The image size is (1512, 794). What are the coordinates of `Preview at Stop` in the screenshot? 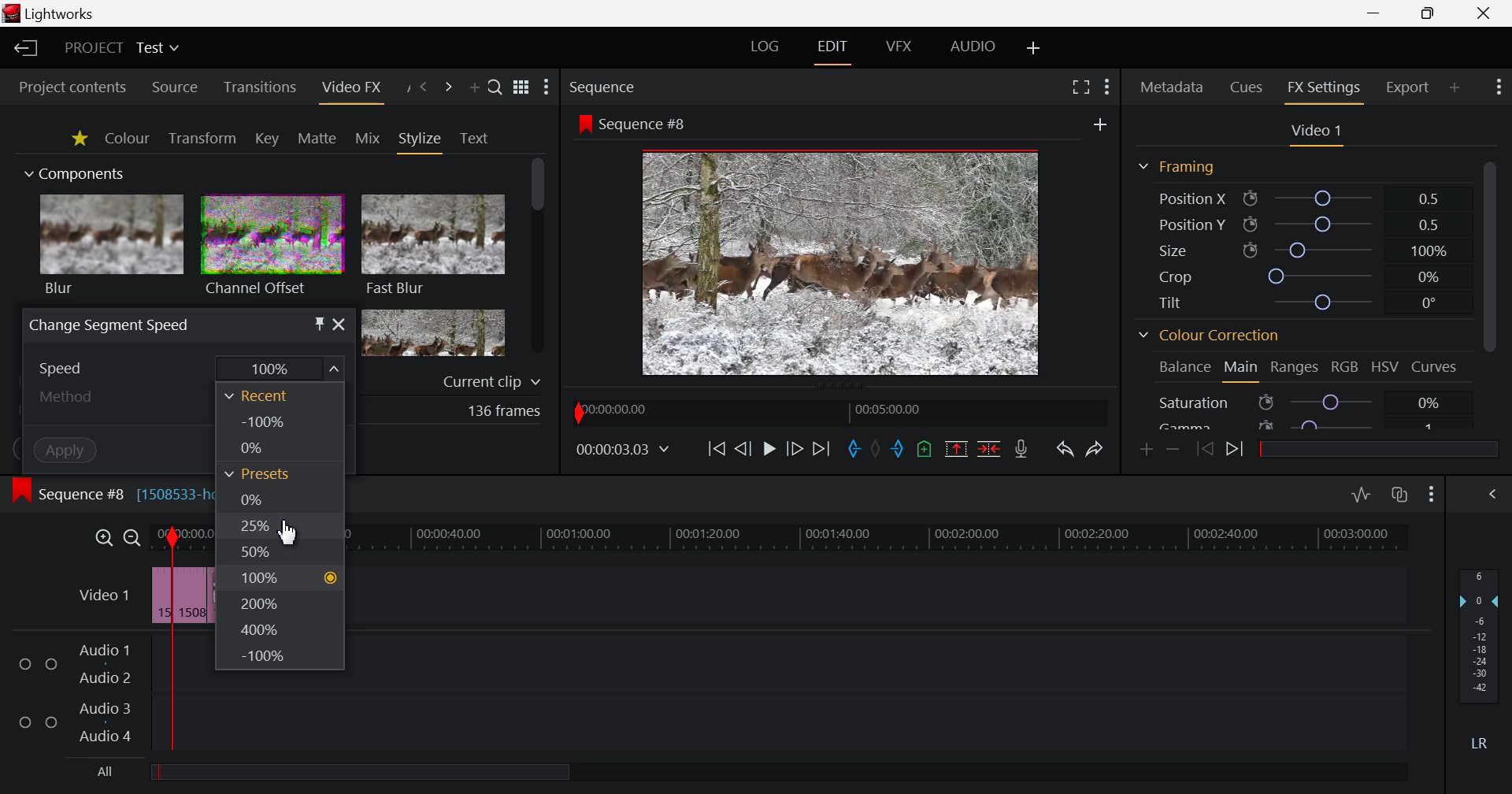 It's located at (859, 260).